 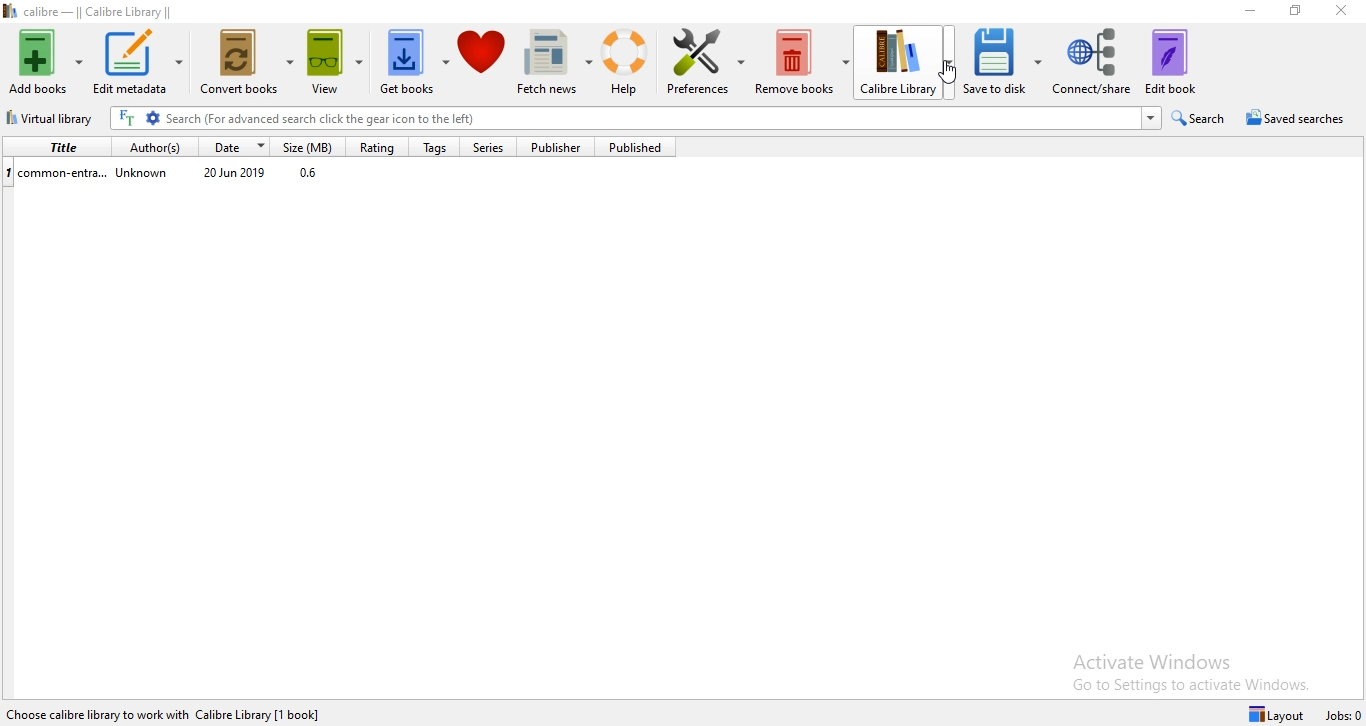 I want to click on Virtual Library, so click(x=53, y=120).